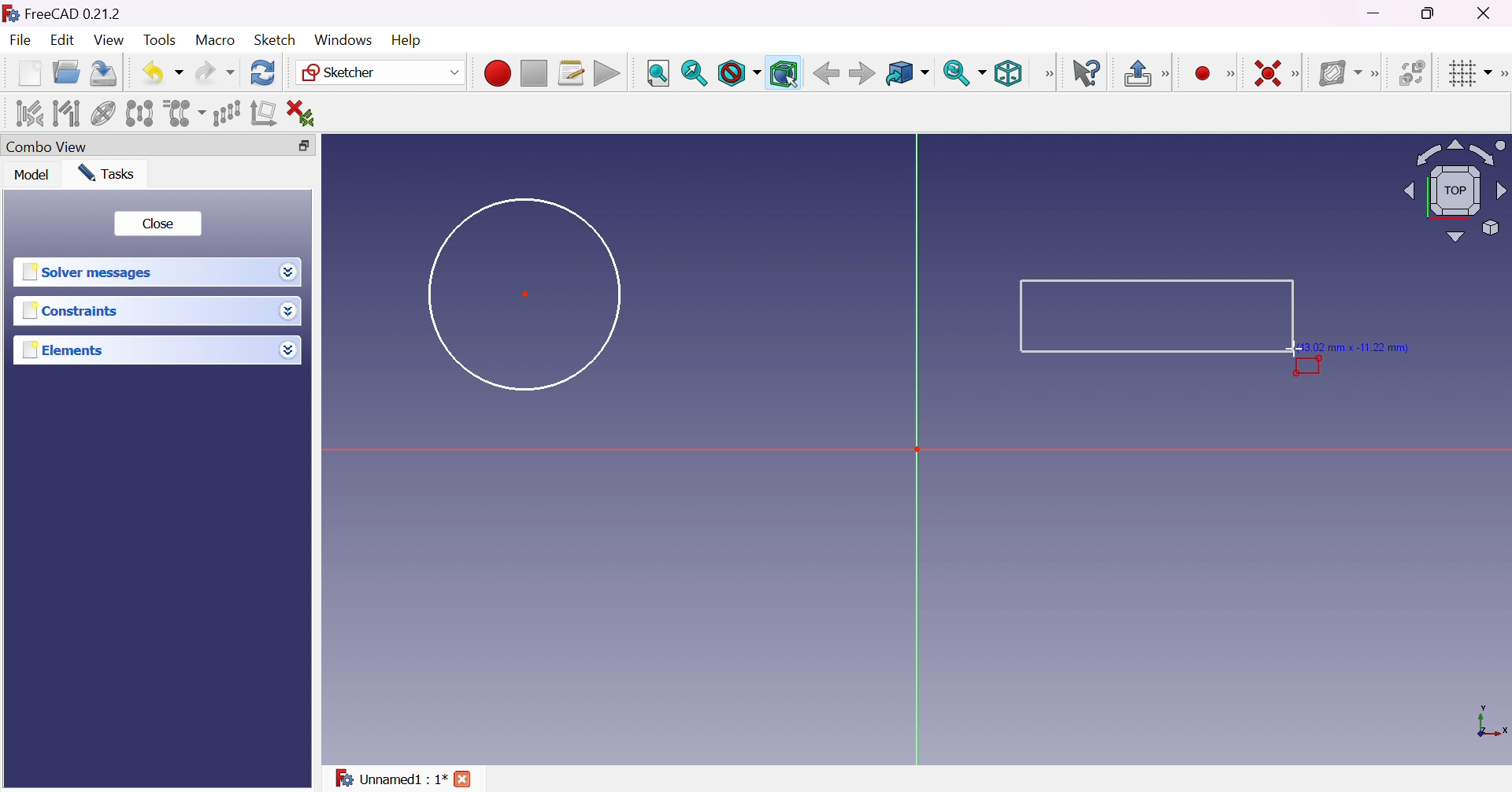  I want to click on Fit all, so click(658, 74).